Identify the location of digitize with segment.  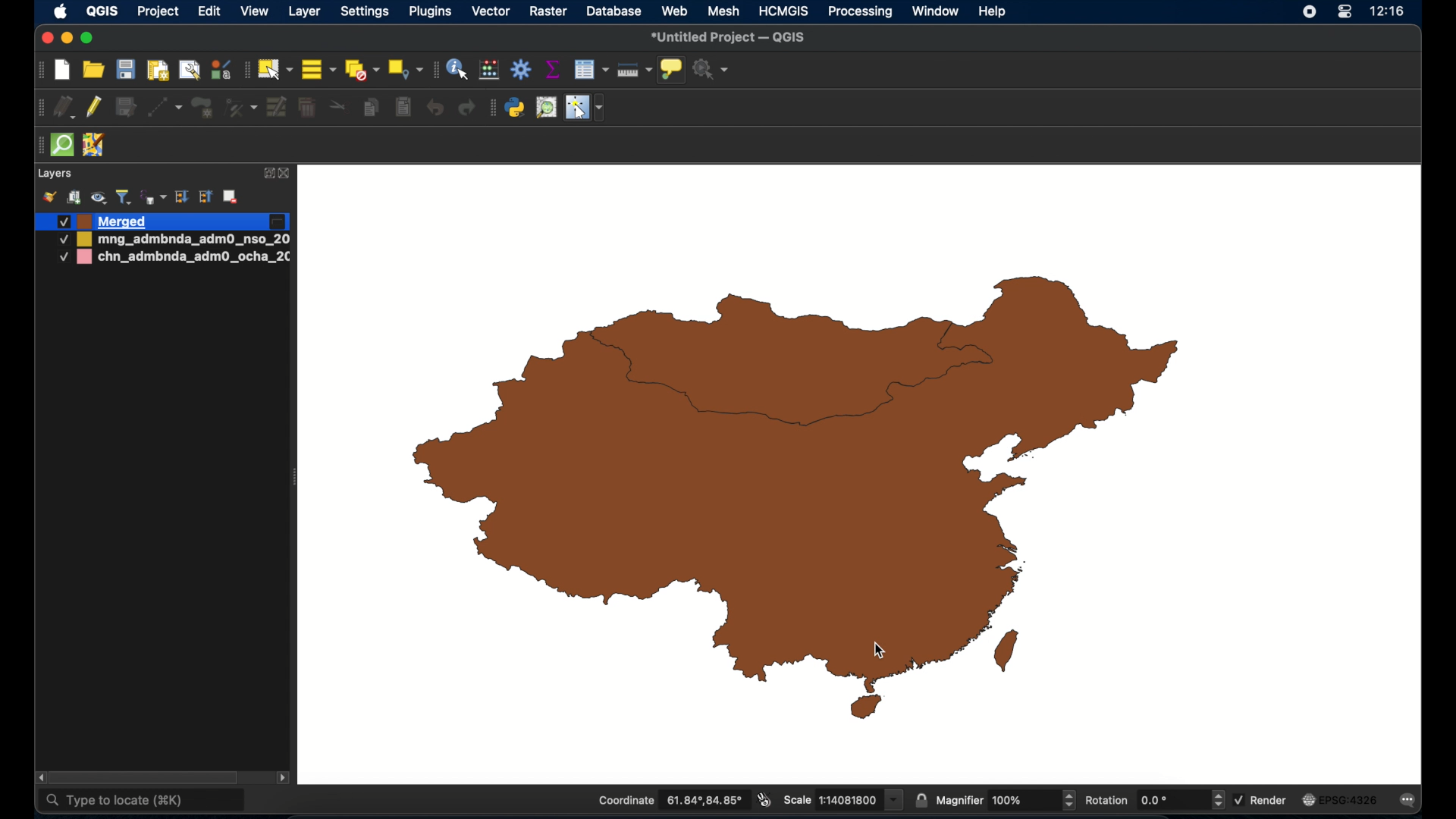
(164, 106).